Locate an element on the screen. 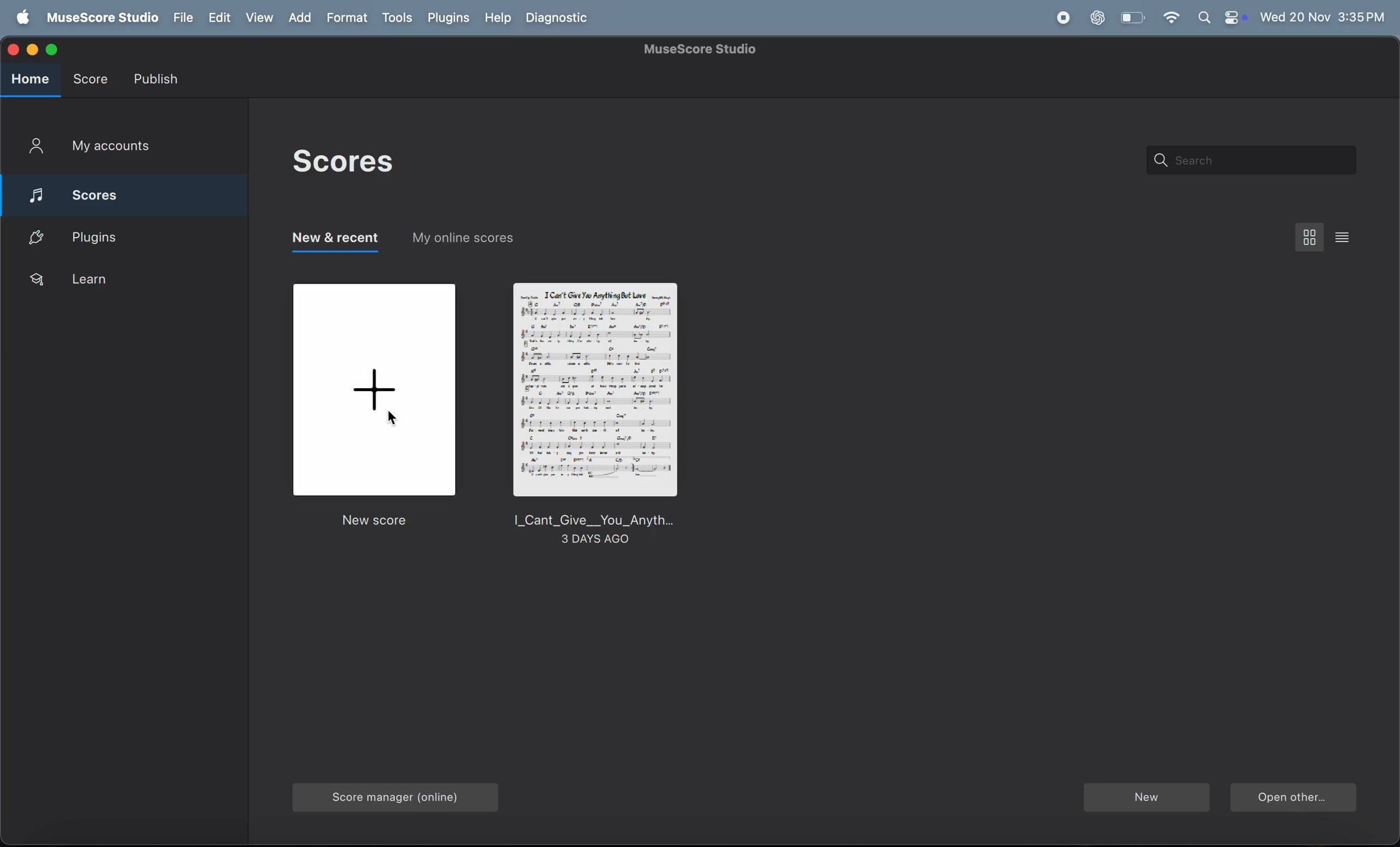 Image resolution: width=1400 pixels, height=847 pixels. new is located at coordinates (1145, 799).